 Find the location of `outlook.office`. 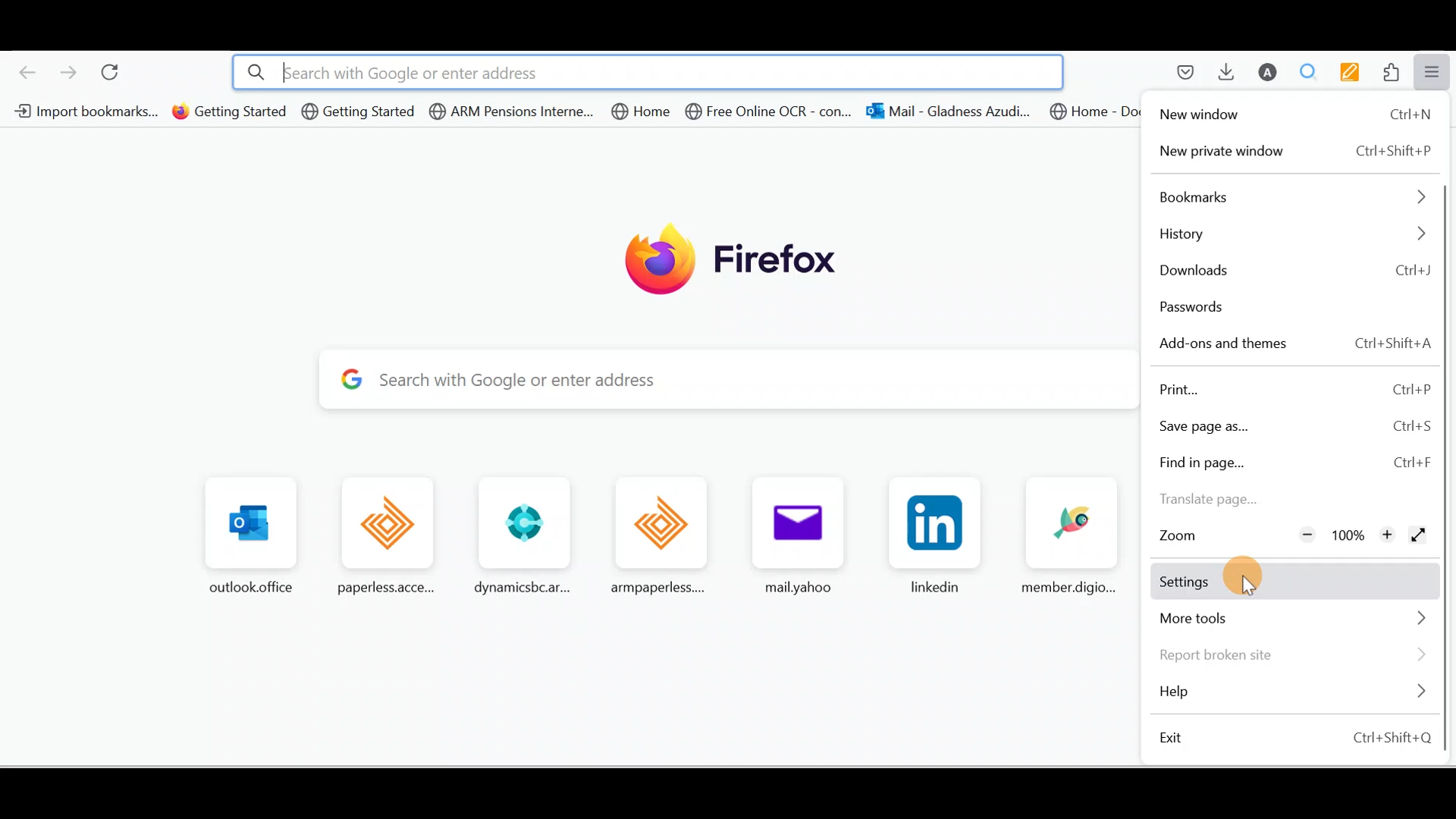

outlook.office is located at coordinates (244, 537).